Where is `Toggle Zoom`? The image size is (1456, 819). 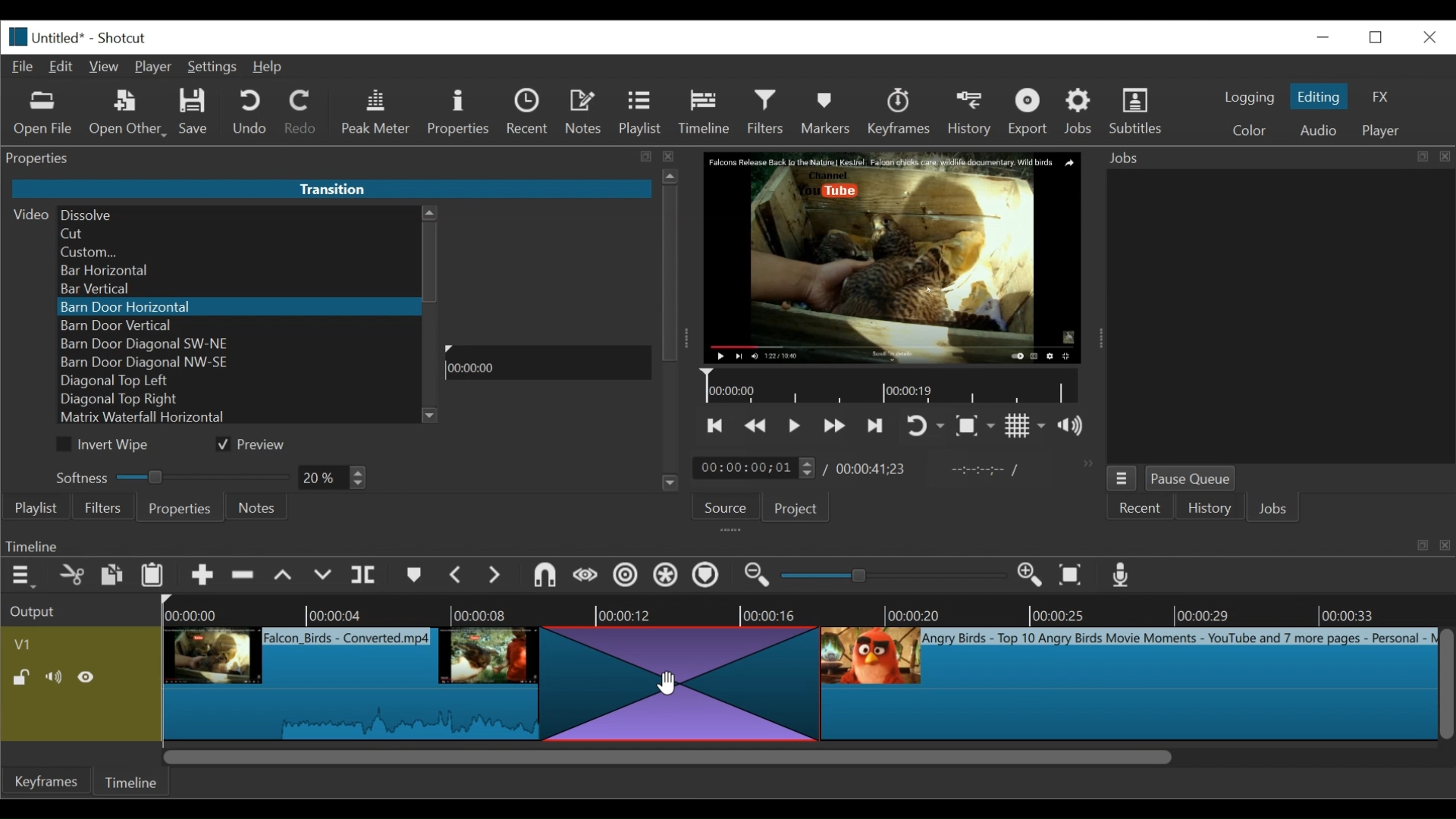
Toggle Zoom is located at coordinates (976, 426).